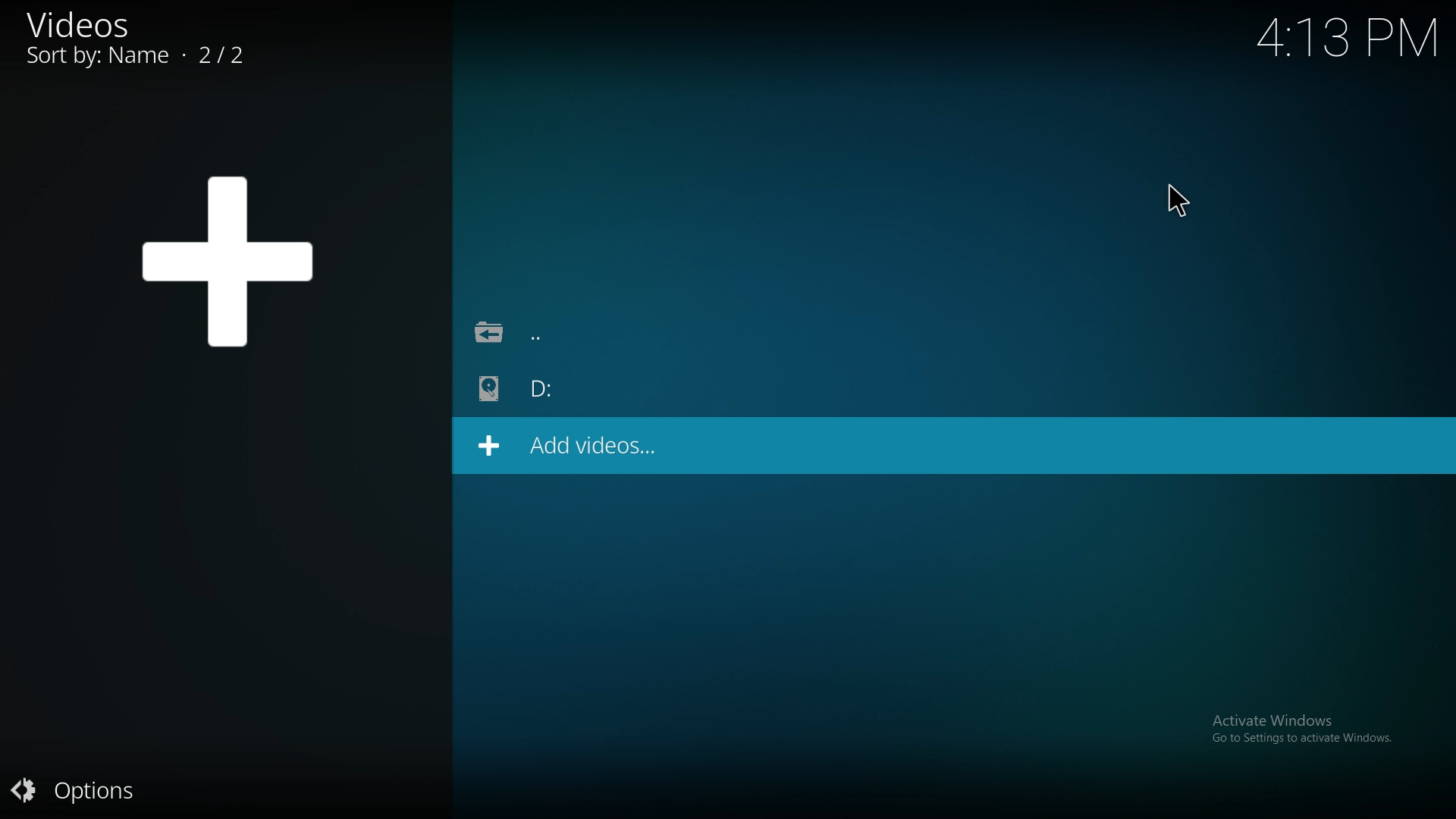 This screenshot has height=819, width=1456. Describe the element at coordinates (591, 448) in the screenshot. I see `add videos` at that location.